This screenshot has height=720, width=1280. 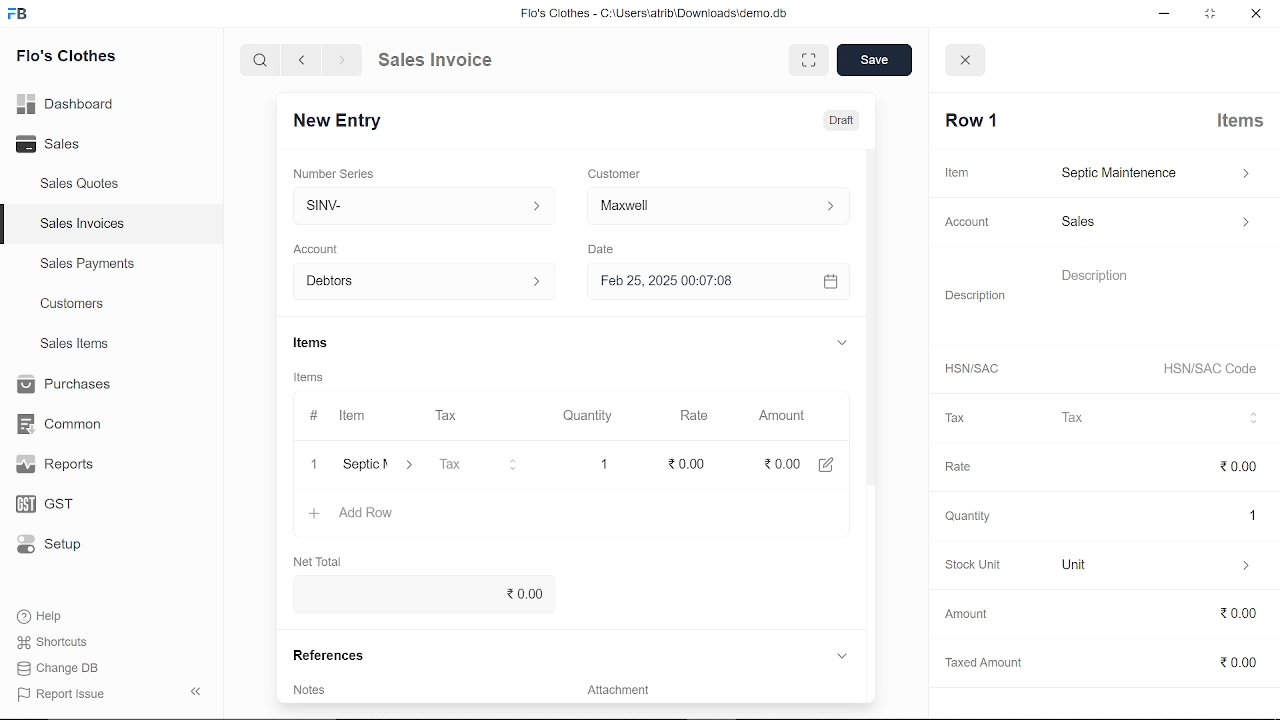 I want to click on  Sales Invoice, so click(x=446, y=61).